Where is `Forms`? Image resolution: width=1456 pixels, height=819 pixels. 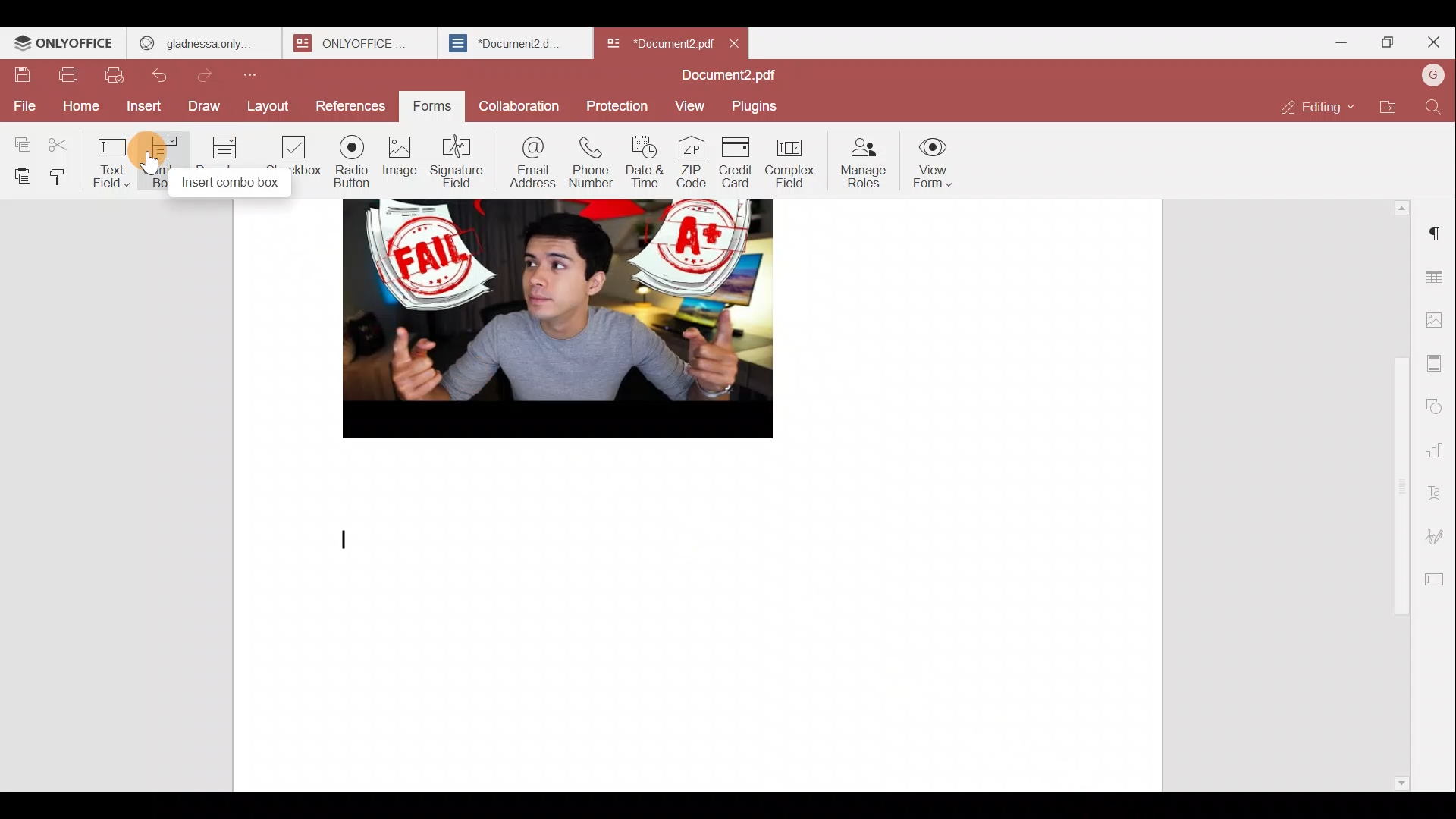 Forms is located at coordinates (427, 107).